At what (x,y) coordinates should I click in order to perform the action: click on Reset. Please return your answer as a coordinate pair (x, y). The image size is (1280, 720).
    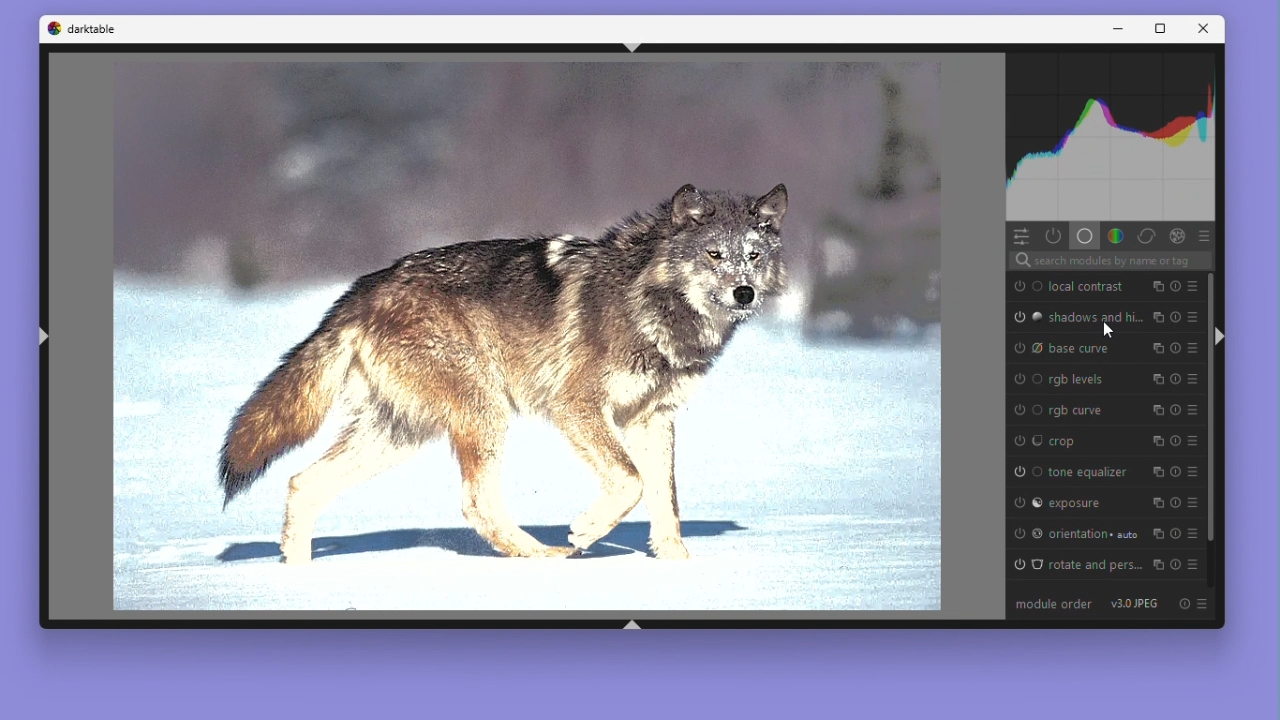
    Looking at the image, I should click on (1188, 607).